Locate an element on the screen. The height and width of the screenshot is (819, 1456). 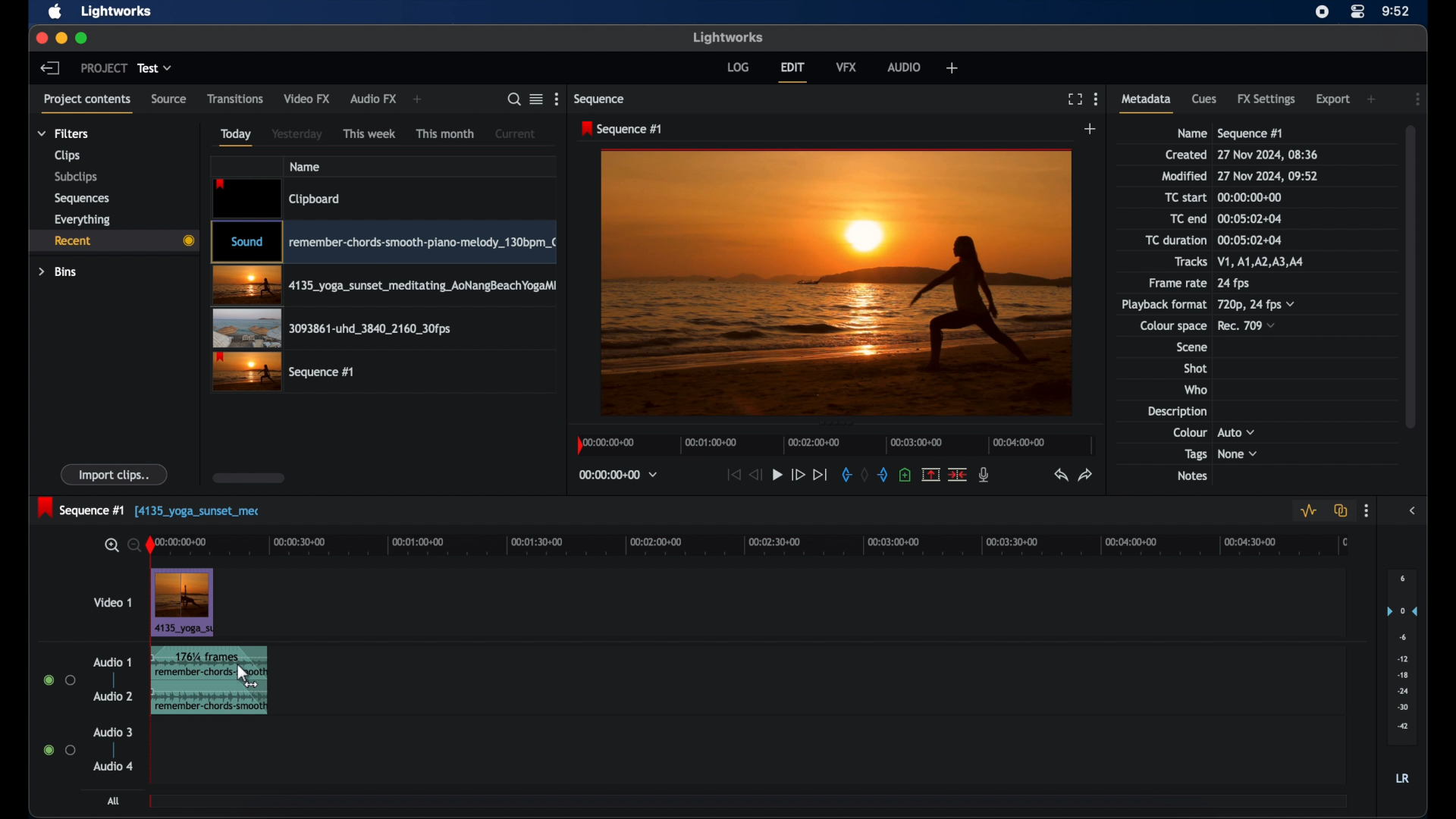
video clip is located at coordinates (183, 604).